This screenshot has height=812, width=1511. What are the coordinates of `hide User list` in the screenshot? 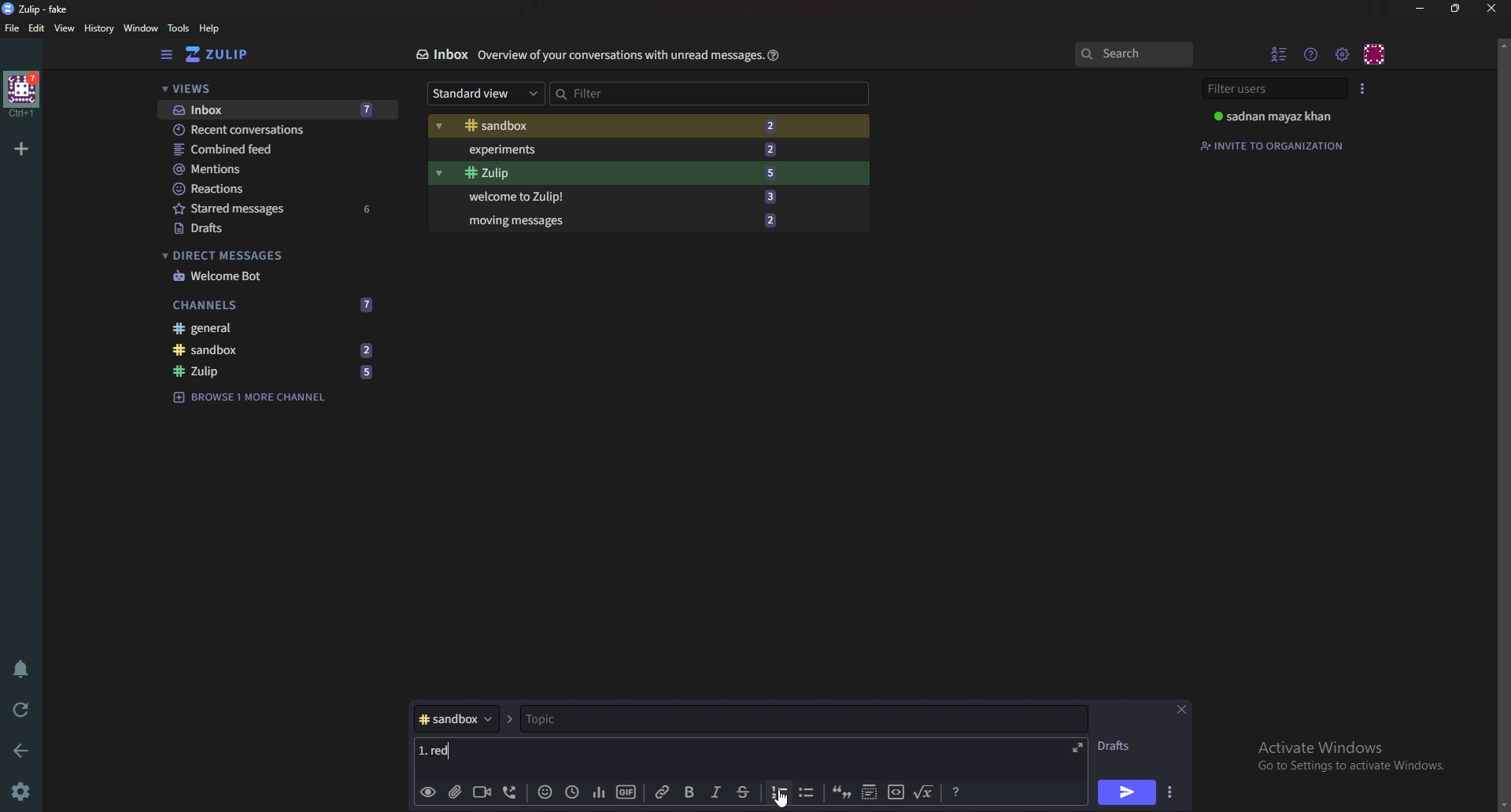 It's located at (1280, 54).